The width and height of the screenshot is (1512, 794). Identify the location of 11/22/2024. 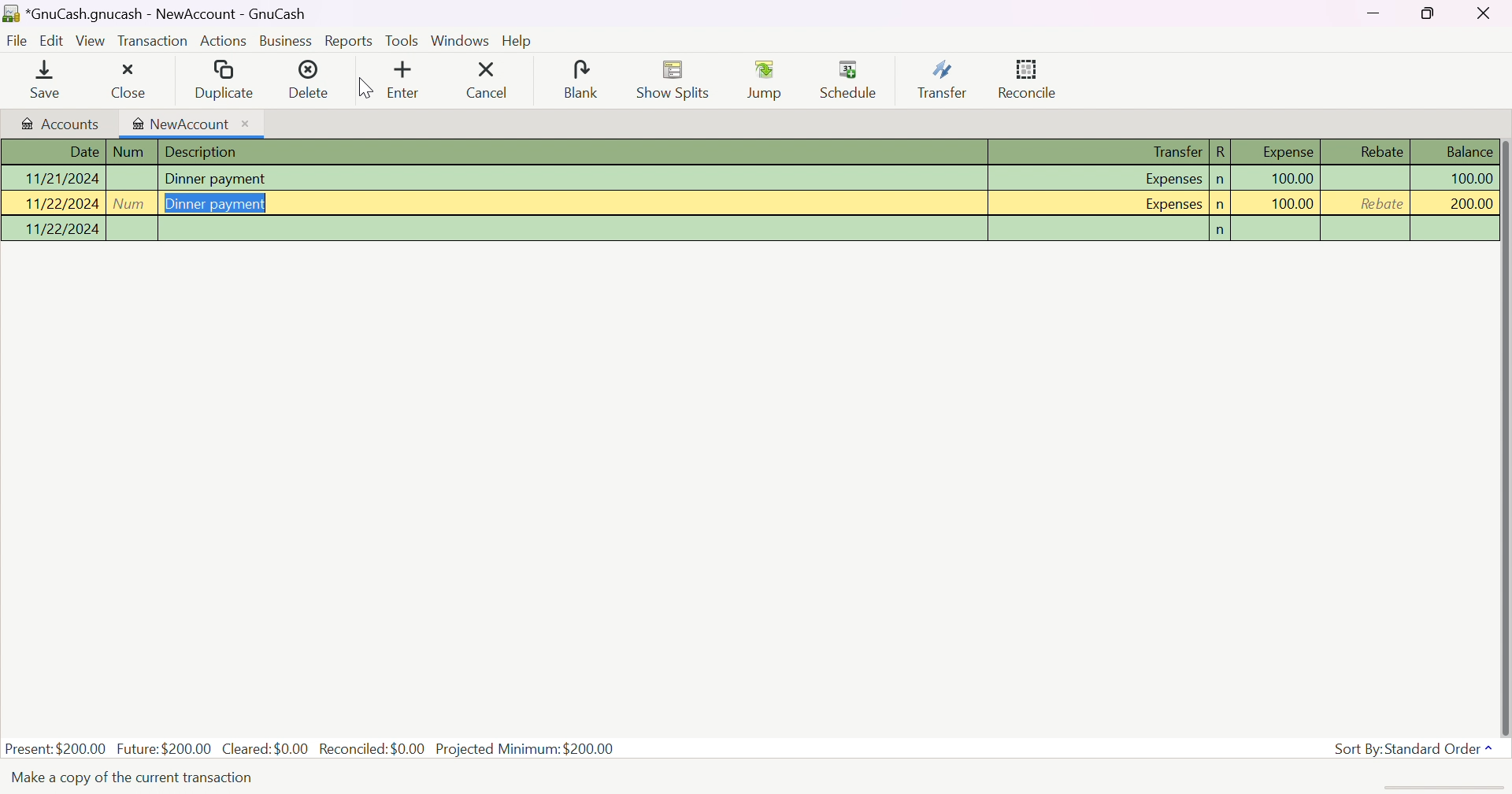
(61, 203).